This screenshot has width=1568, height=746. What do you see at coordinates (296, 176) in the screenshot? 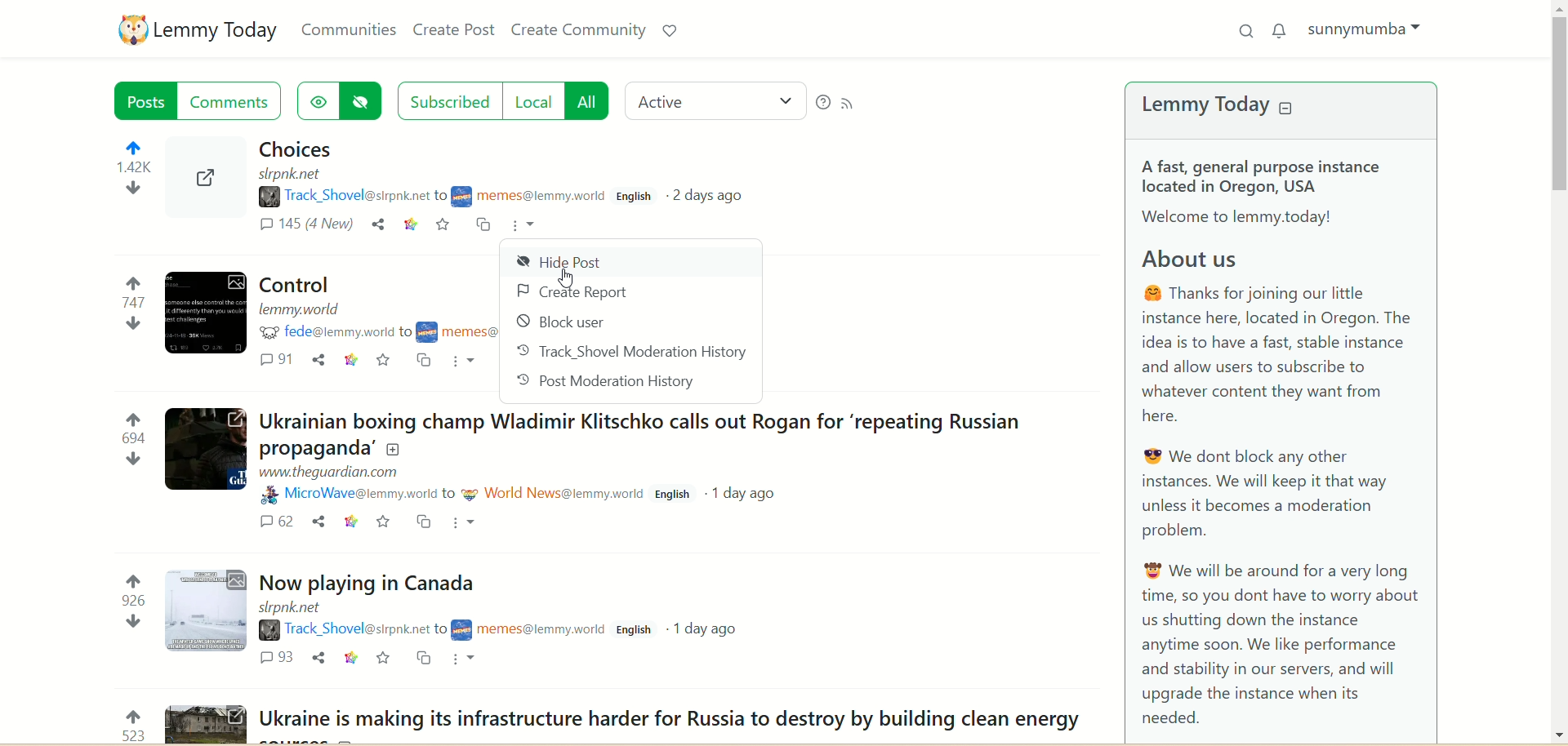
I see `URL` at bounding box center [296, 176].